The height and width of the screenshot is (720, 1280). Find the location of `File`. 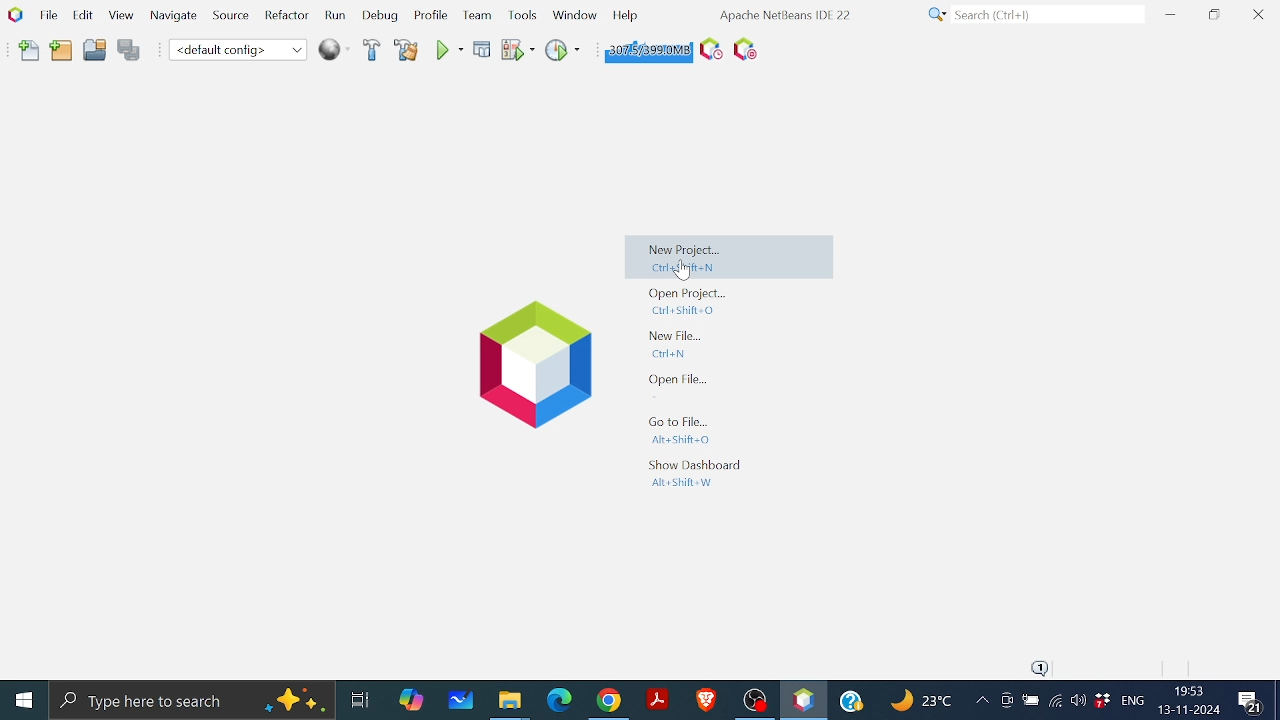

File is located at coordinates (46, 15).